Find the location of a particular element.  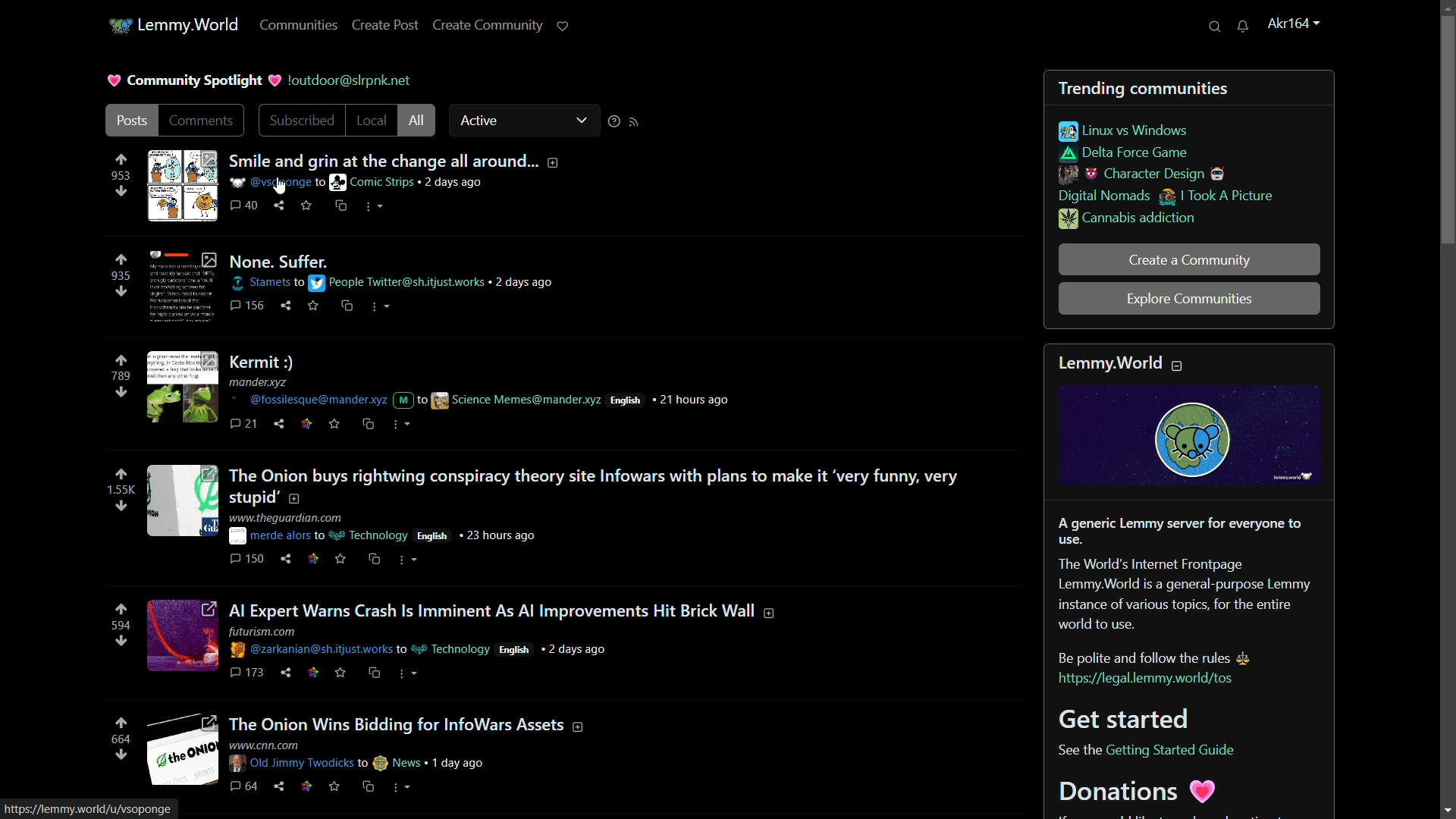

active is located at coordinates (482, 121).